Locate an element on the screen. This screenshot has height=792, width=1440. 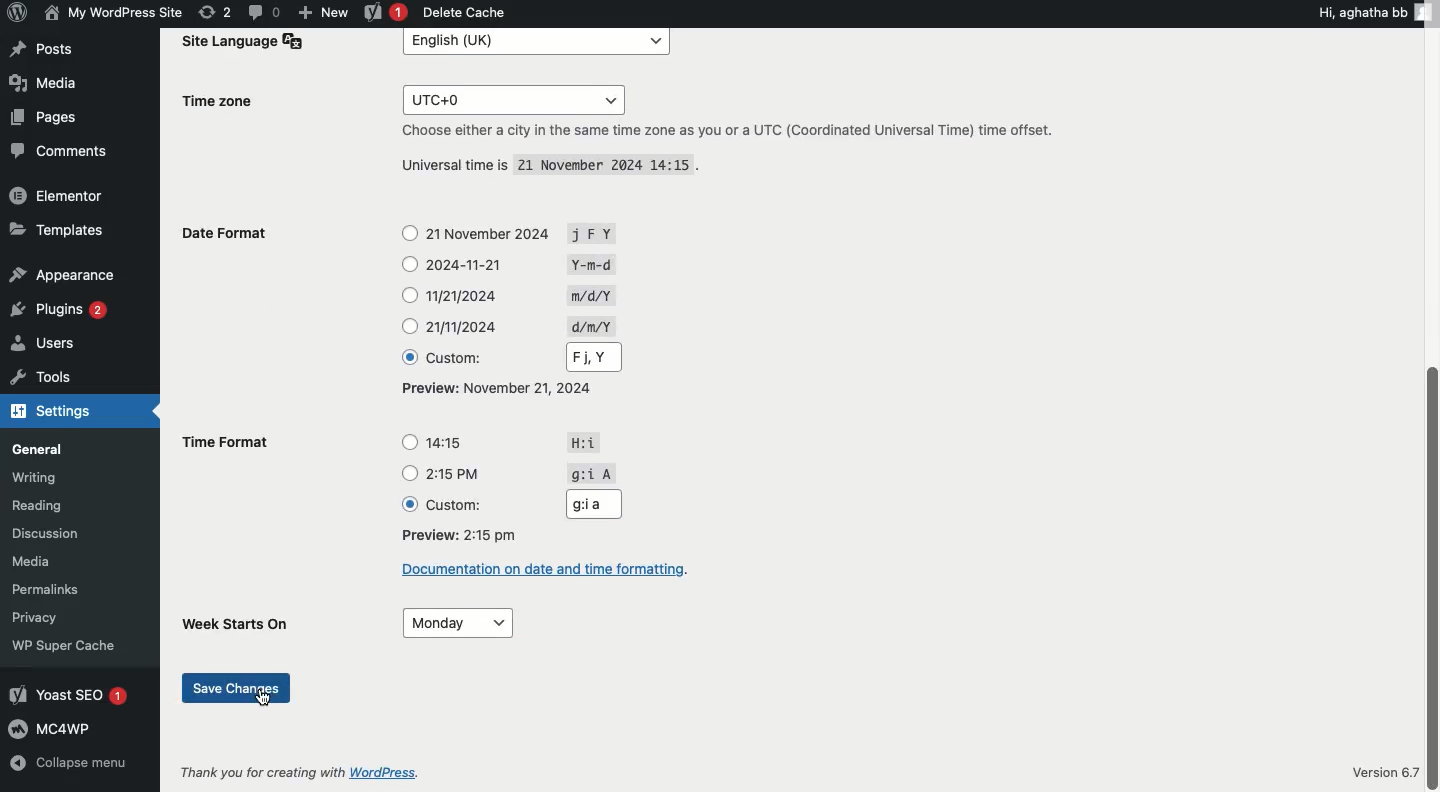
WP Super Cache is located at coordinates (79, 646).